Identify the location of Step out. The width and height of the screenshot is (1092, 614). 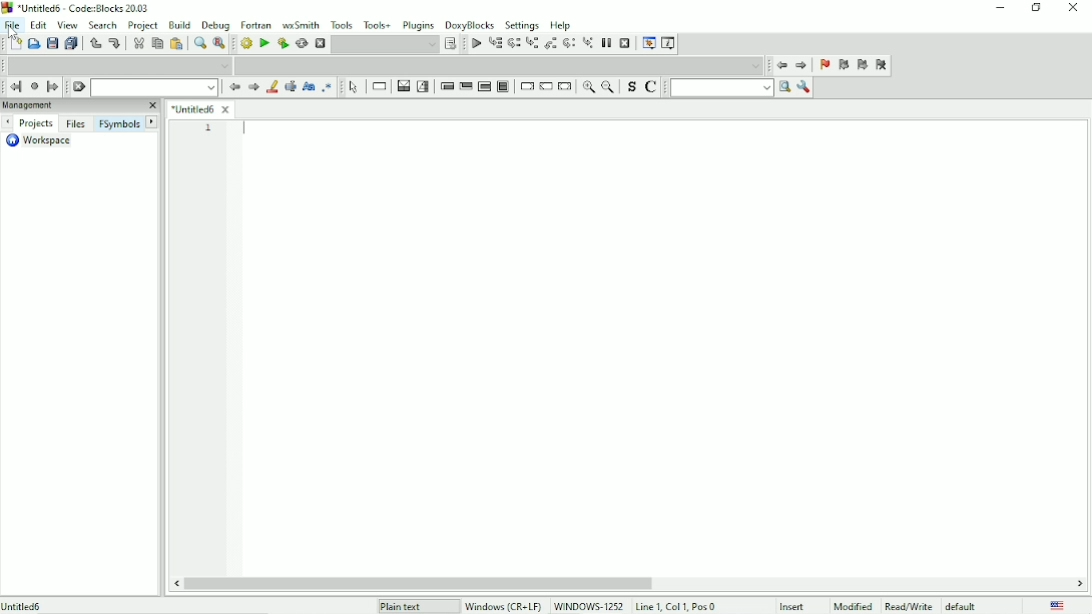
(552, 45).